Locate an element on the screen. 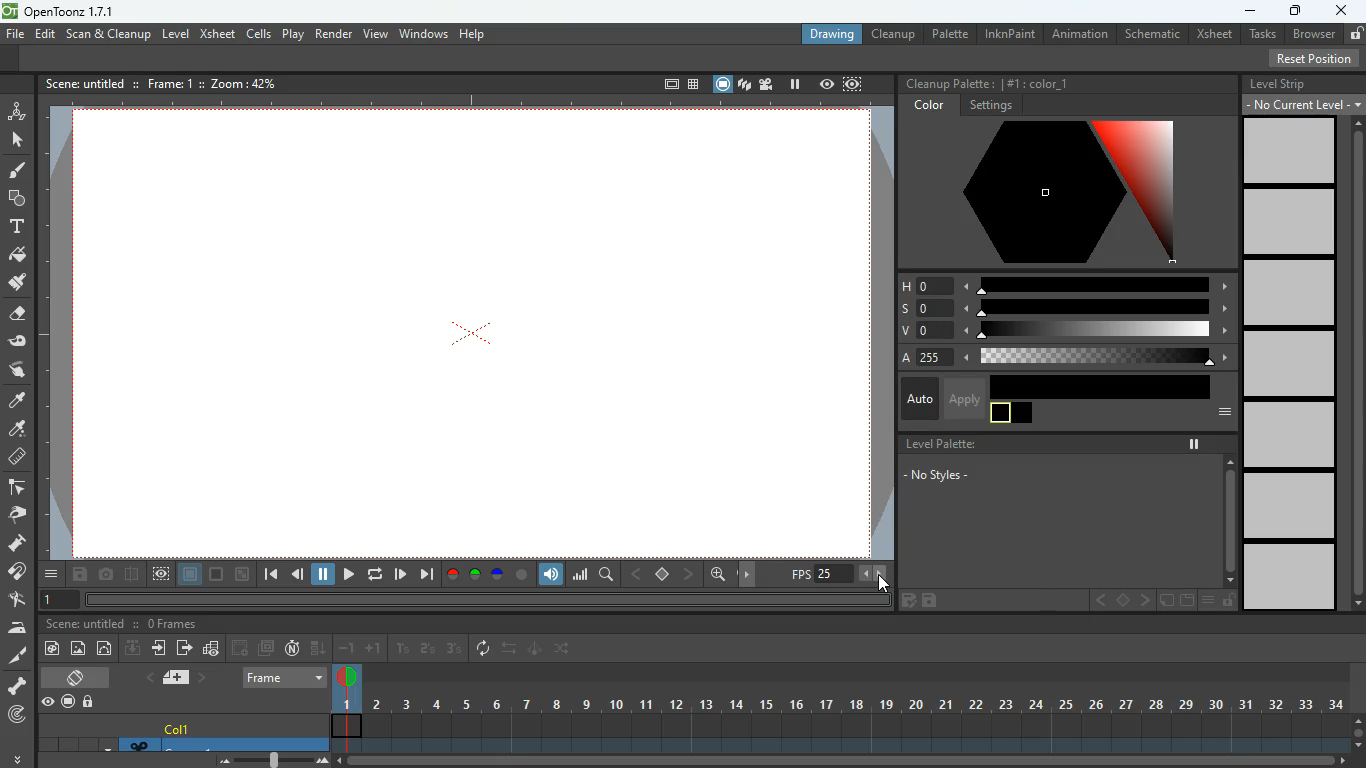 This screenshot has height=768, width=1366. forward is located at coordinates (238, 648).